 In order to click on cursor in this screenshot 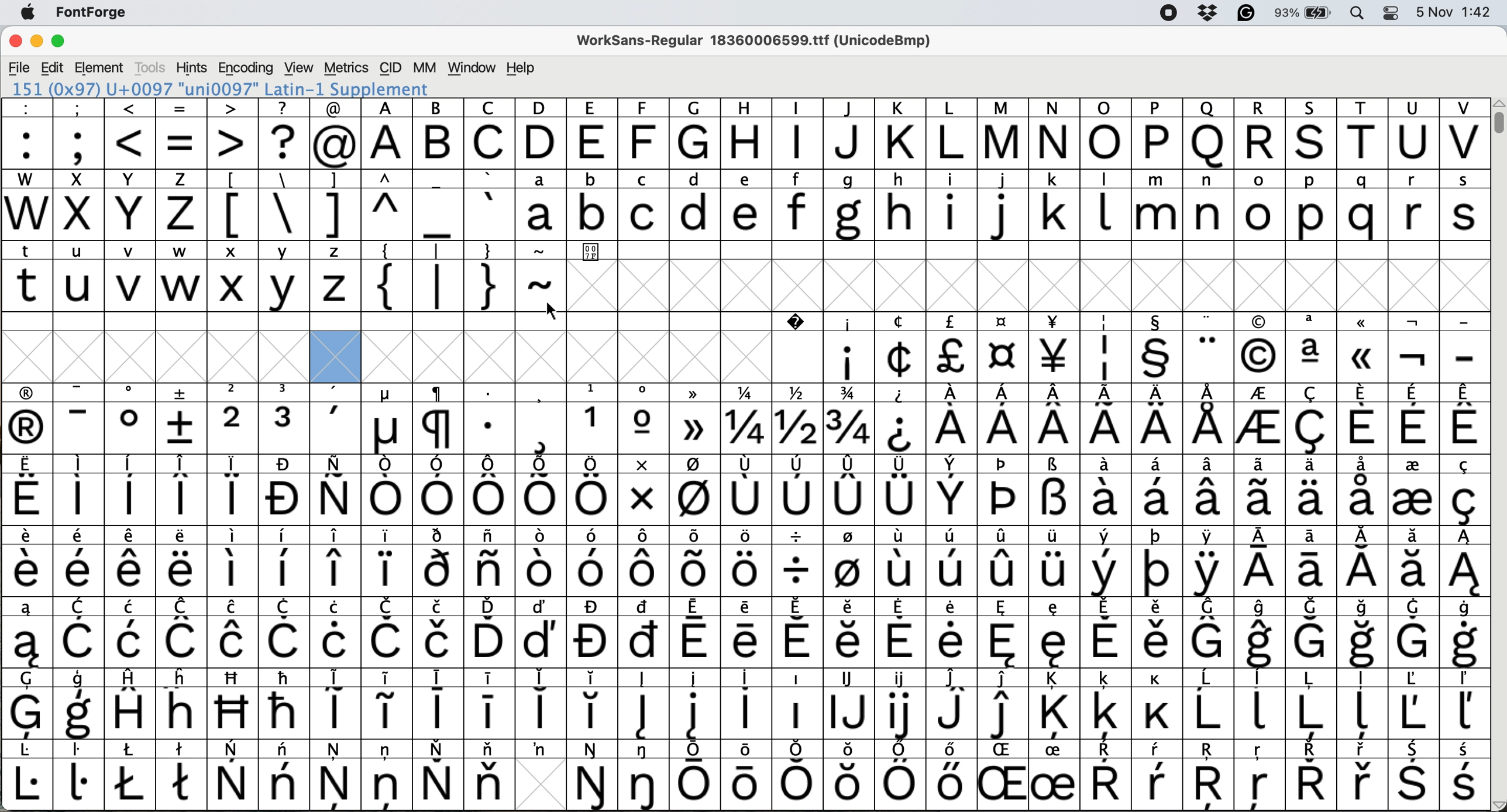, I will do `click(553, 310)`.